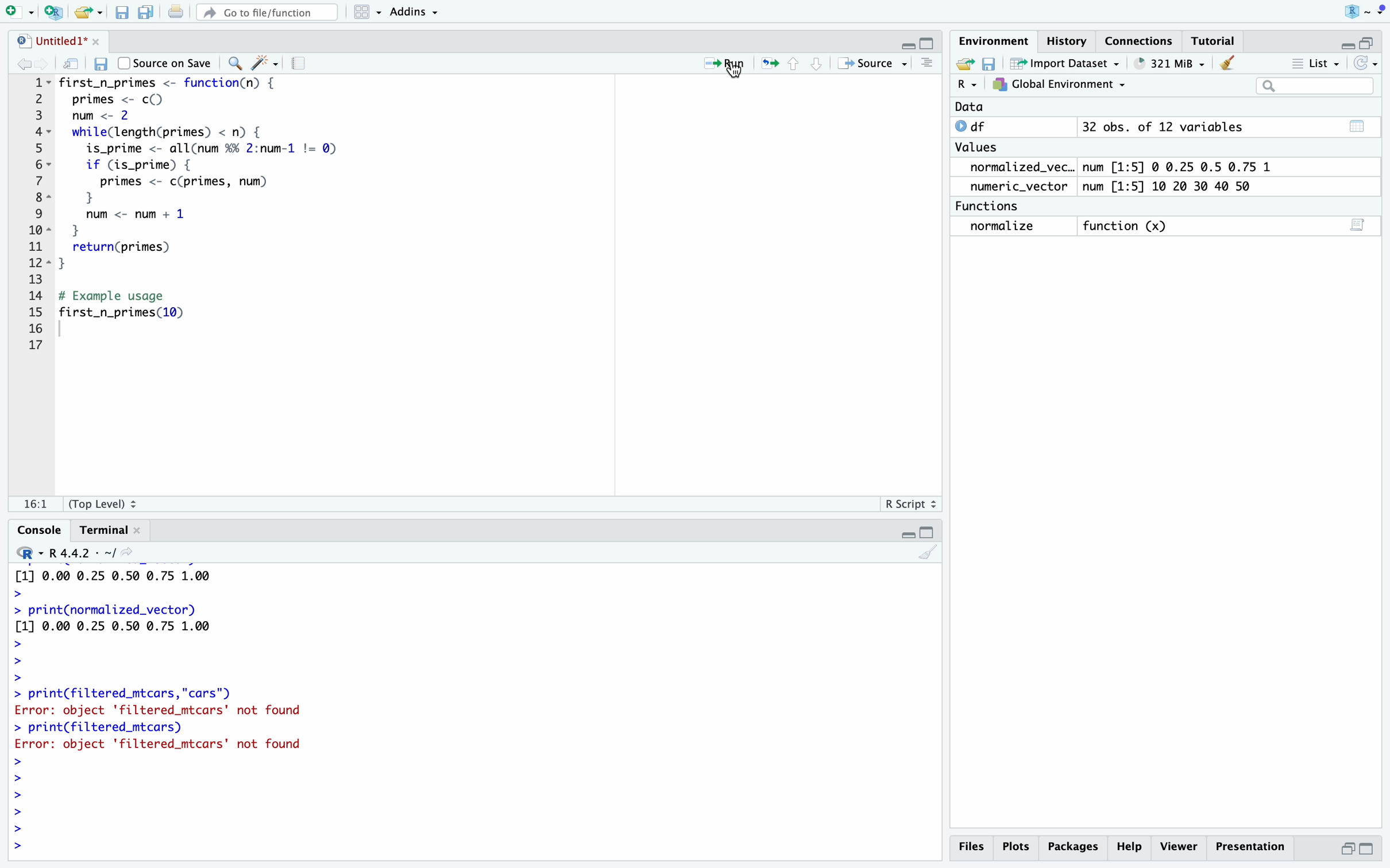  I want to click on Files, so click(971, 846).